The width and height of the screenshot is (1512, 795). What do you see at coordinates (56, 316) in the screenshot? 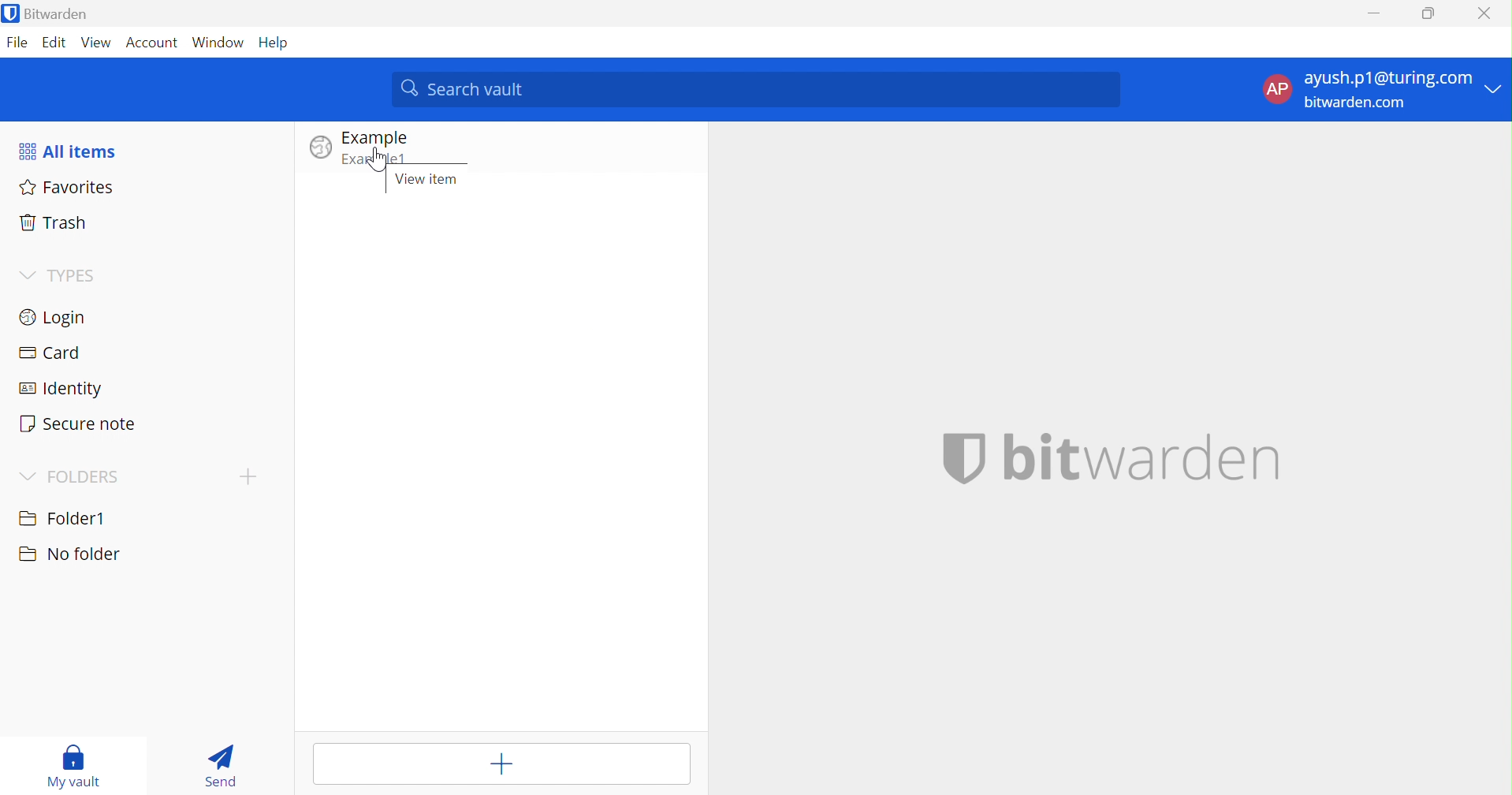
I see `Login` at bounding box center [56, 316].